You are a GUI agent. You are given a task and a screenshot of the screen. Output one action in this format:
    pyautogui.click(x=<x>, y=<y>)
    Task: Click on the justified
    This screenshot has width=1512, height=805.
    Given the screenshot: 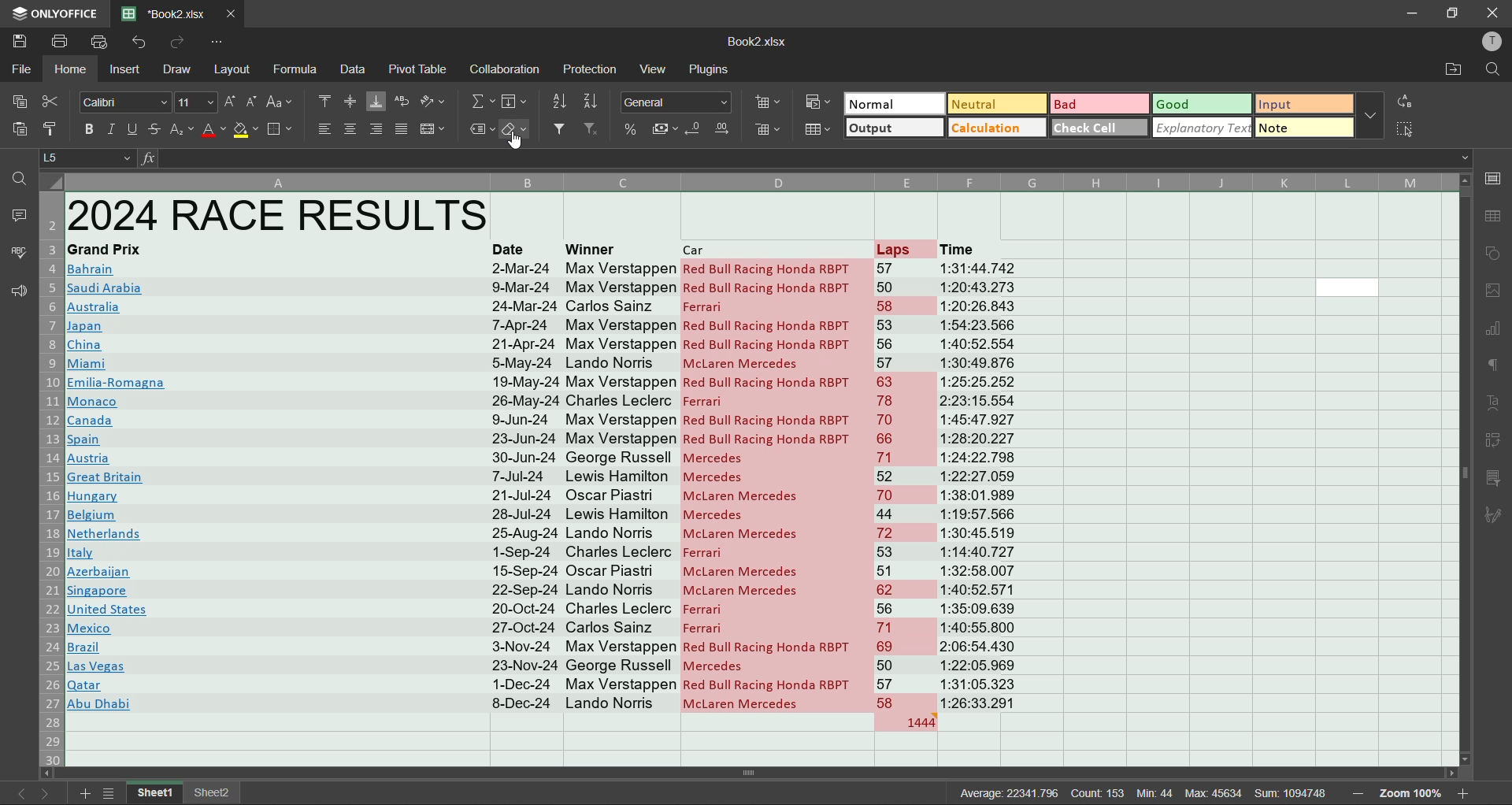 What is the action you would take?
    pyautogui.click(x=400, y=129)
    